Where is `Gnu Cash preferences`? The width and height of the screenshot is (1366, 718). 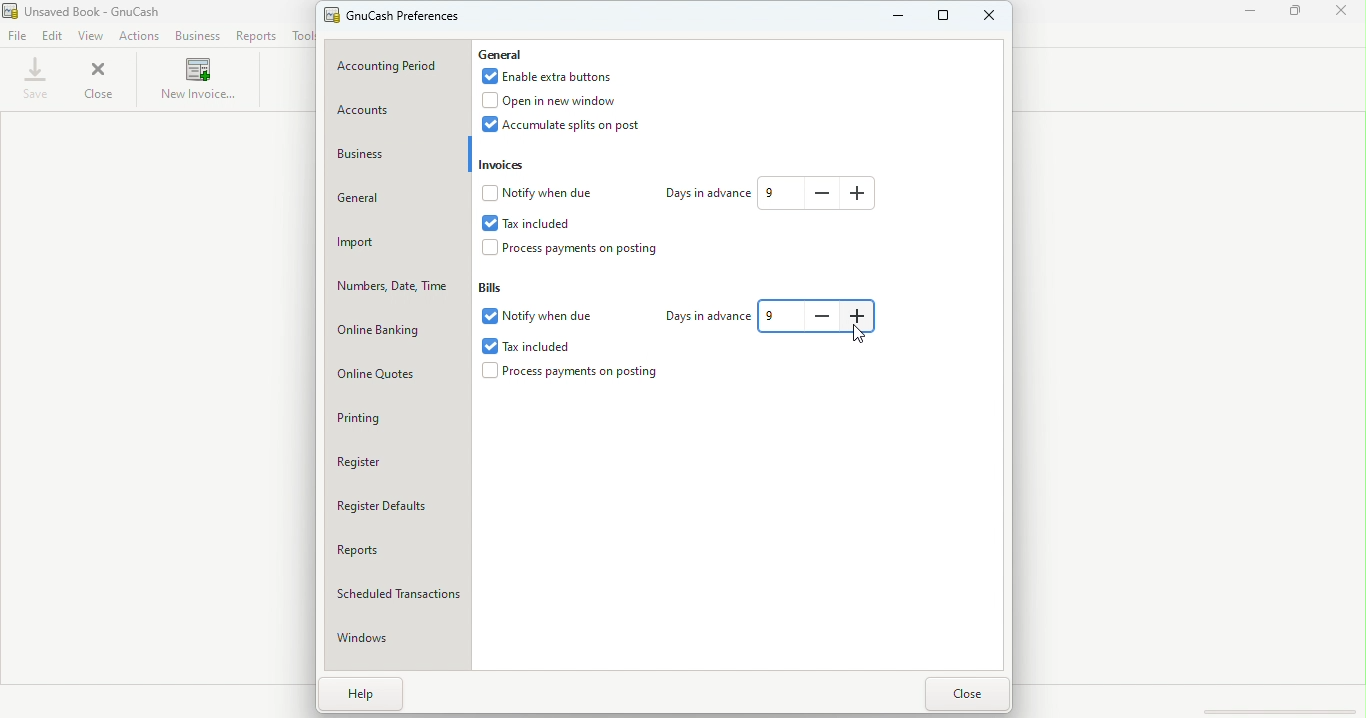
Gnu Cash preferences is located at coordinates (394, 16).